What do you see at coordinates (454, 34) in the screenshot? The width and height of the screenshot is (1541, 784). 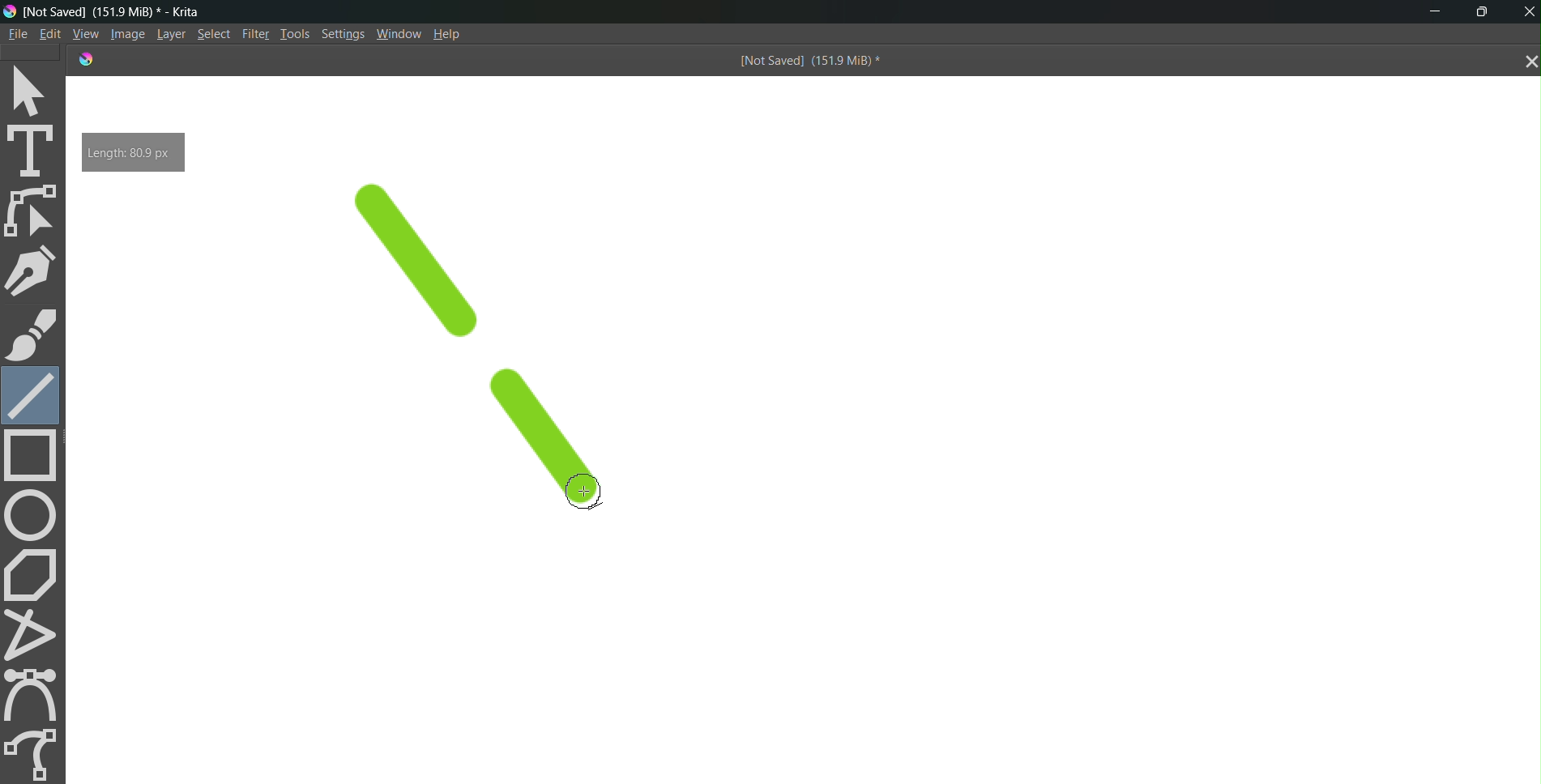 I see `Help` at bounding box center [454, 34].